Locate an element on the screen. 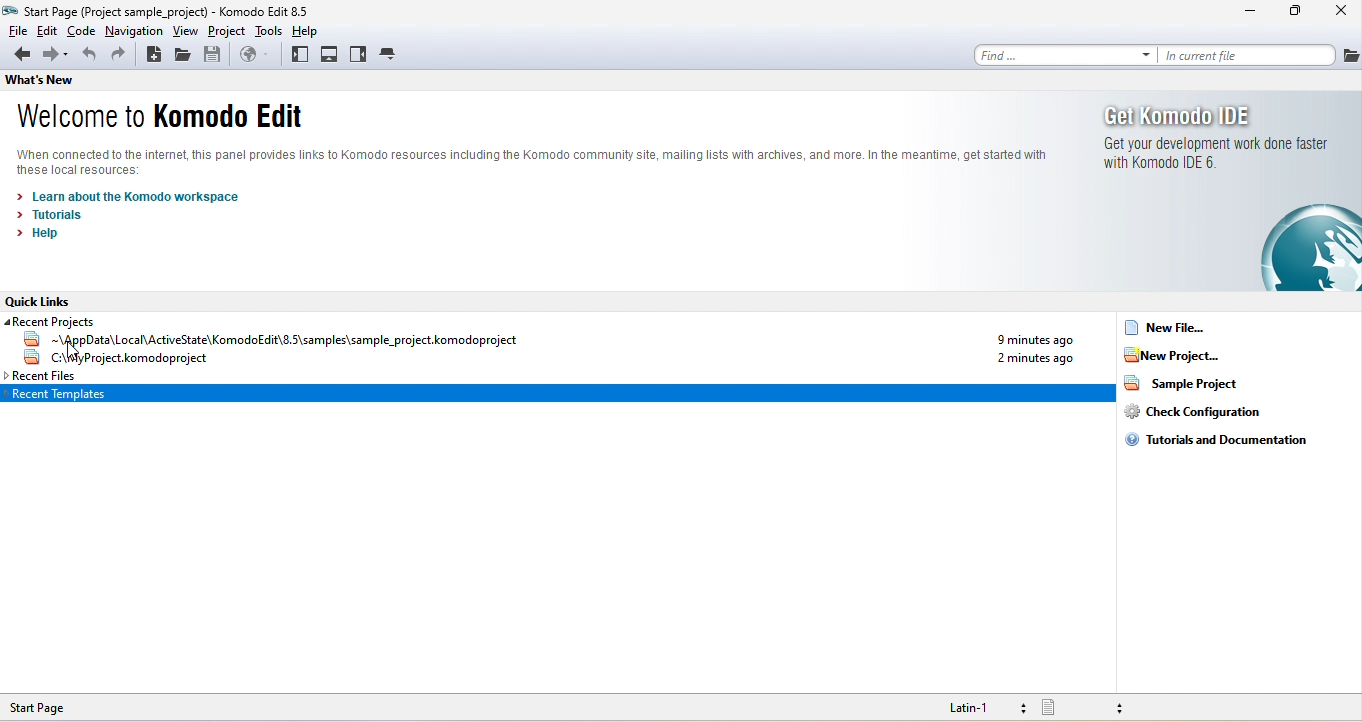  in current file is located at coordinates (1263, 55).